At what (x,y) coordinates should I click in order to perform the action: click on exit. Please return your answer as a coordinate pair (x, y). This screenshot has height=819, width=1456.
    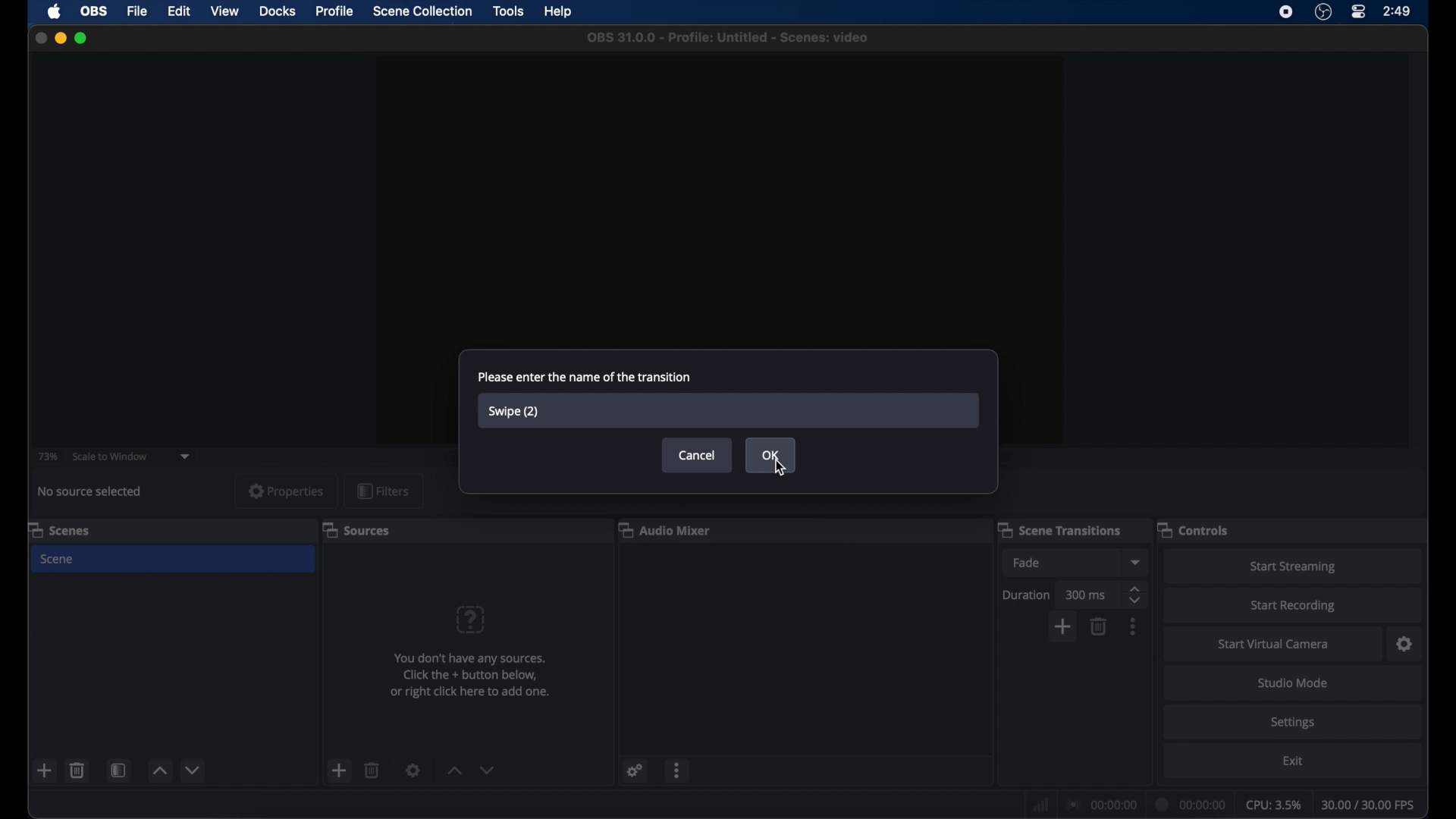
    Looking at the image, I should click on (1293, 761).